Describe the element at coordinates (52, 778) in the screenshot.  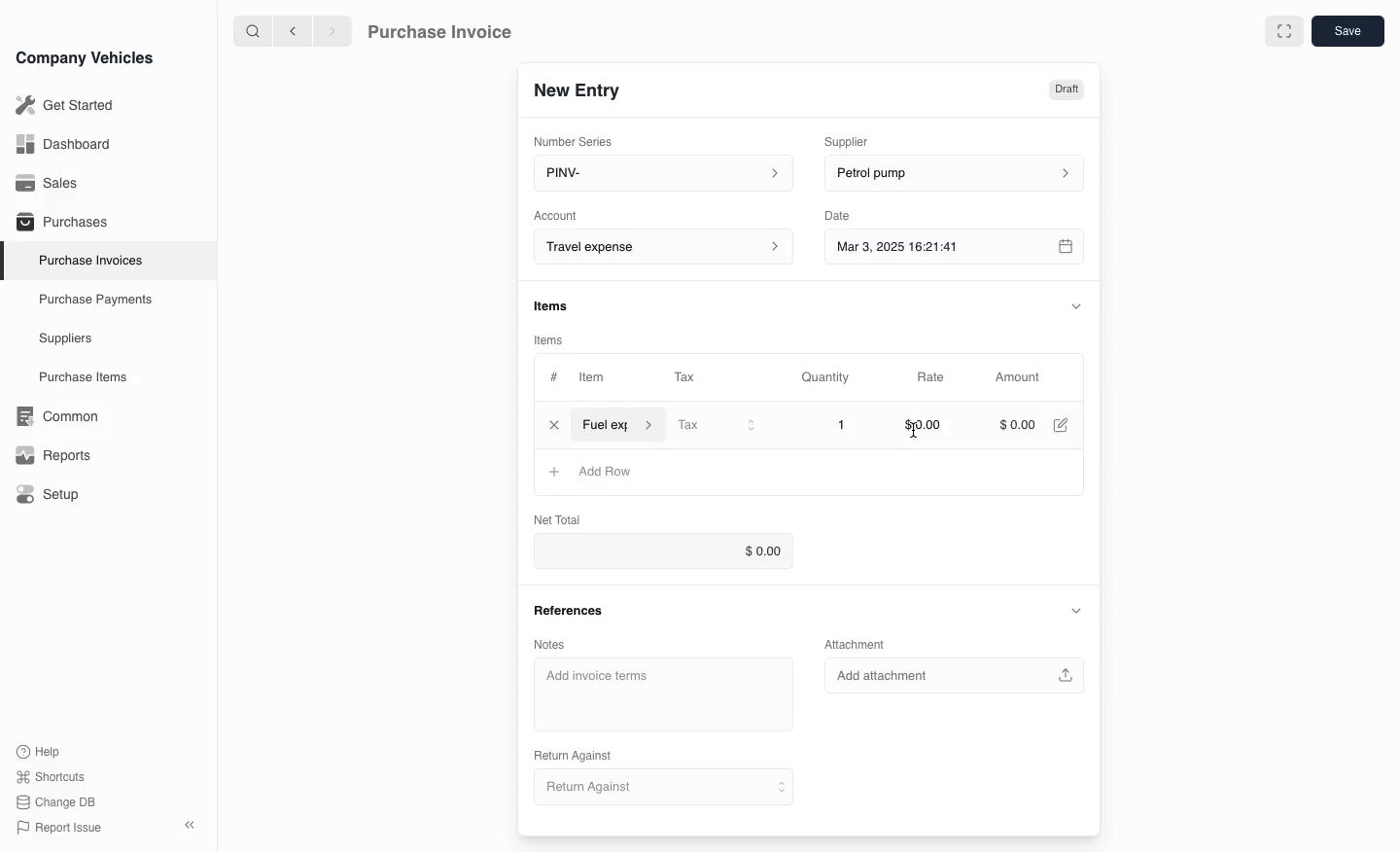
I see `Shortcuts` at that location.